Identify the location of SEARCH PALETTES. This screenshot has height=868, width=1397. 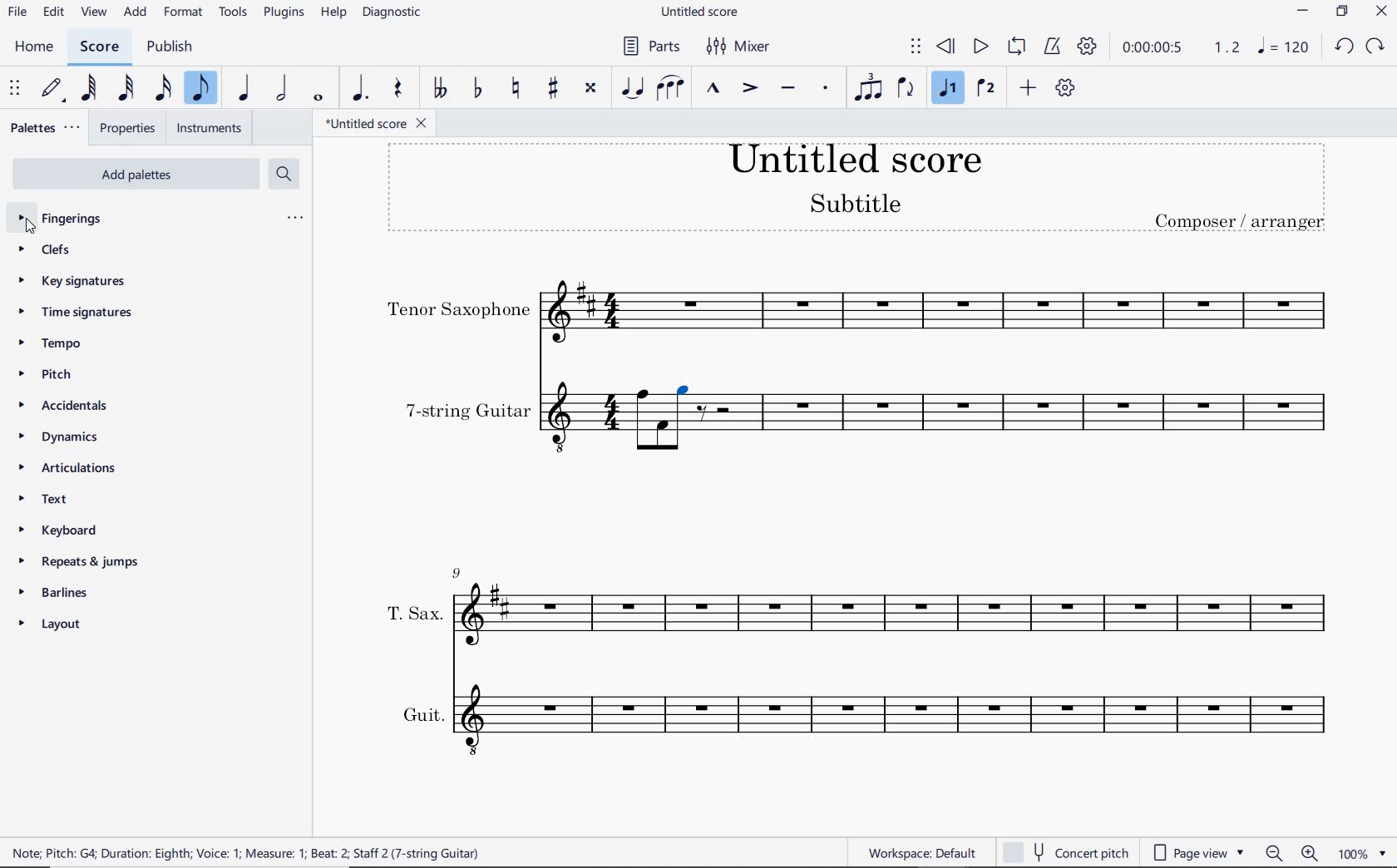
(286, 174).